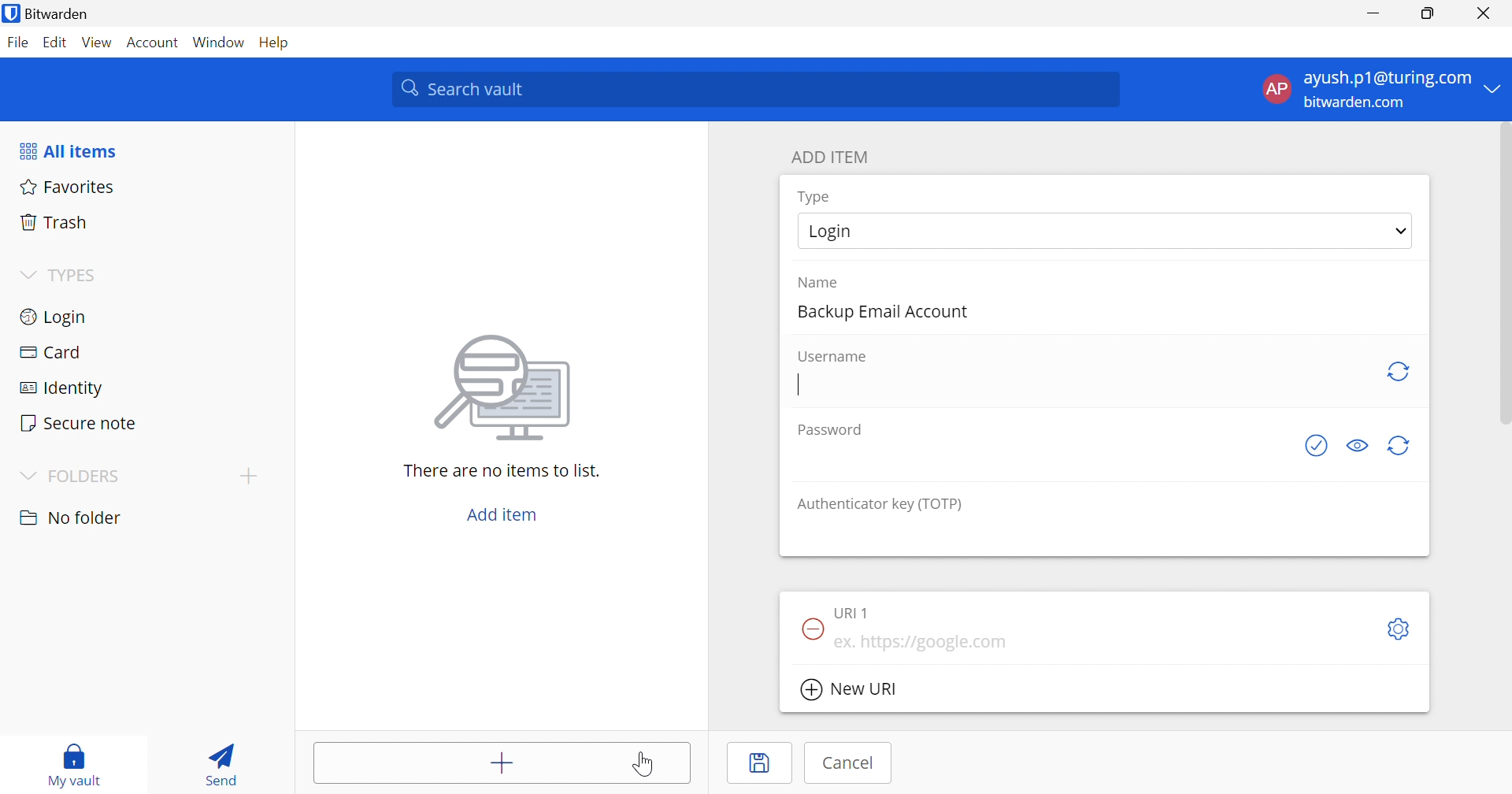  What do you see at coordinates (218, 40) in the screenshot?
I see `Window` at bounding box center [218, 40].